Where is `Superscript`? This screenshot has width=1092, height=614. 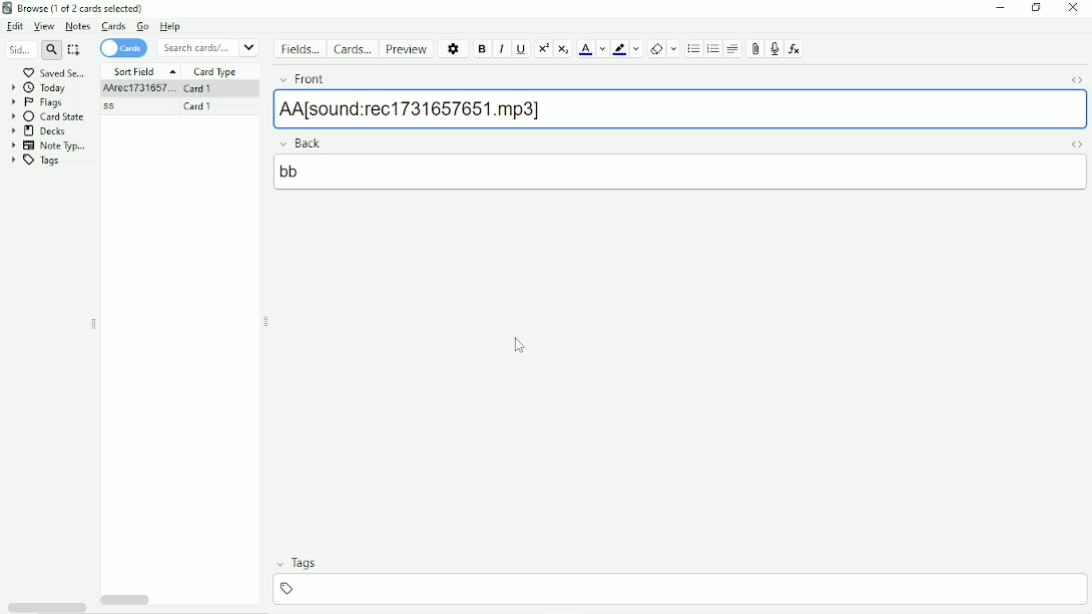 Superscript is located at coordinates (543, 48).